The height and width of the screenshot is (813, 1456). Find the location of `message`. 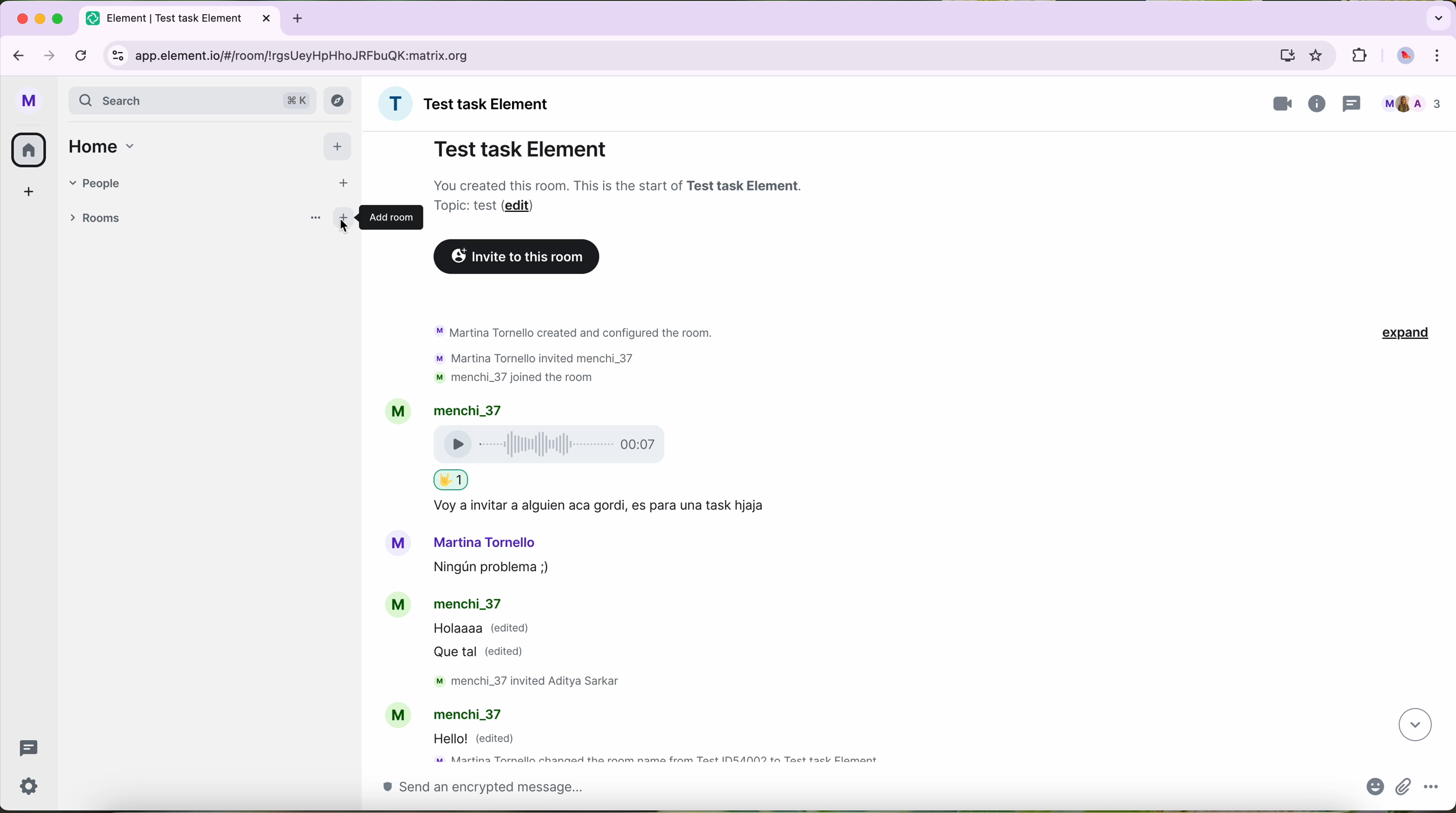

message is located at coordinates (482, 740).